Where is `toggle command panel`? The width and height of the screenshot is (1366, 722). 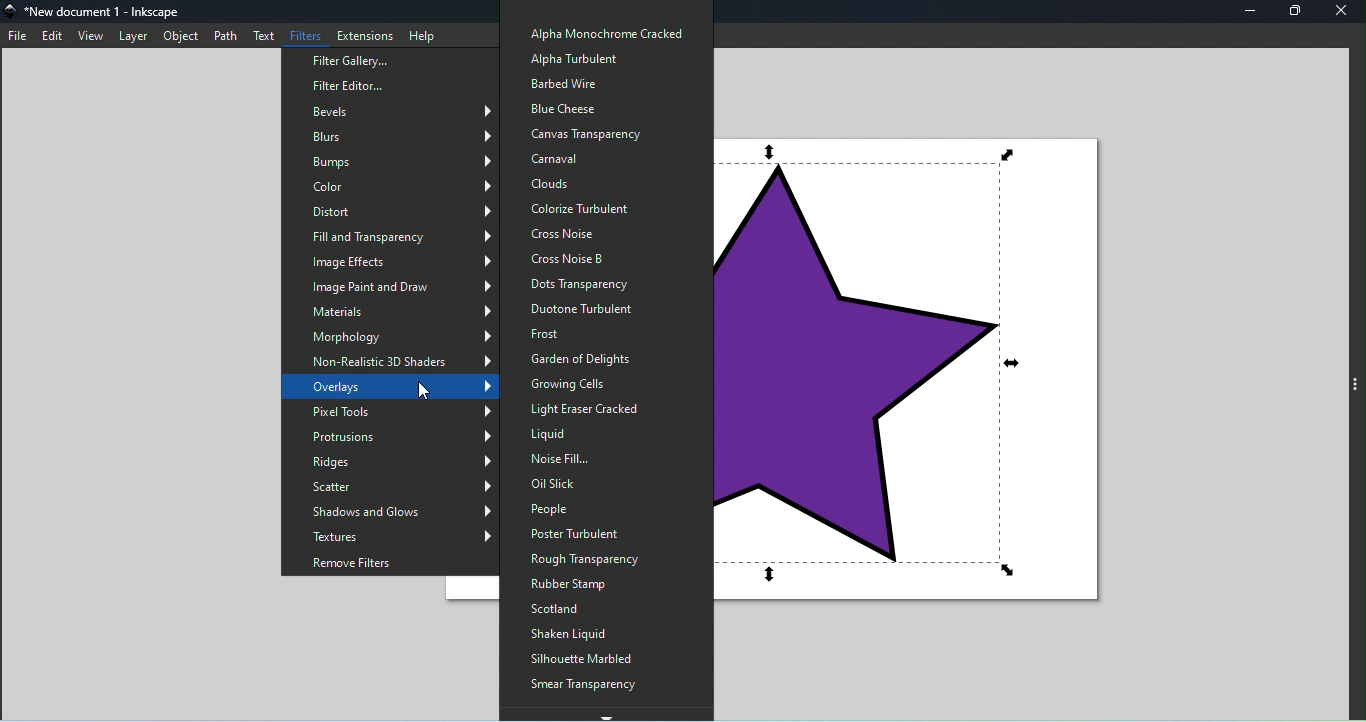
toggle command panel is located at coordinates (1357, 388).